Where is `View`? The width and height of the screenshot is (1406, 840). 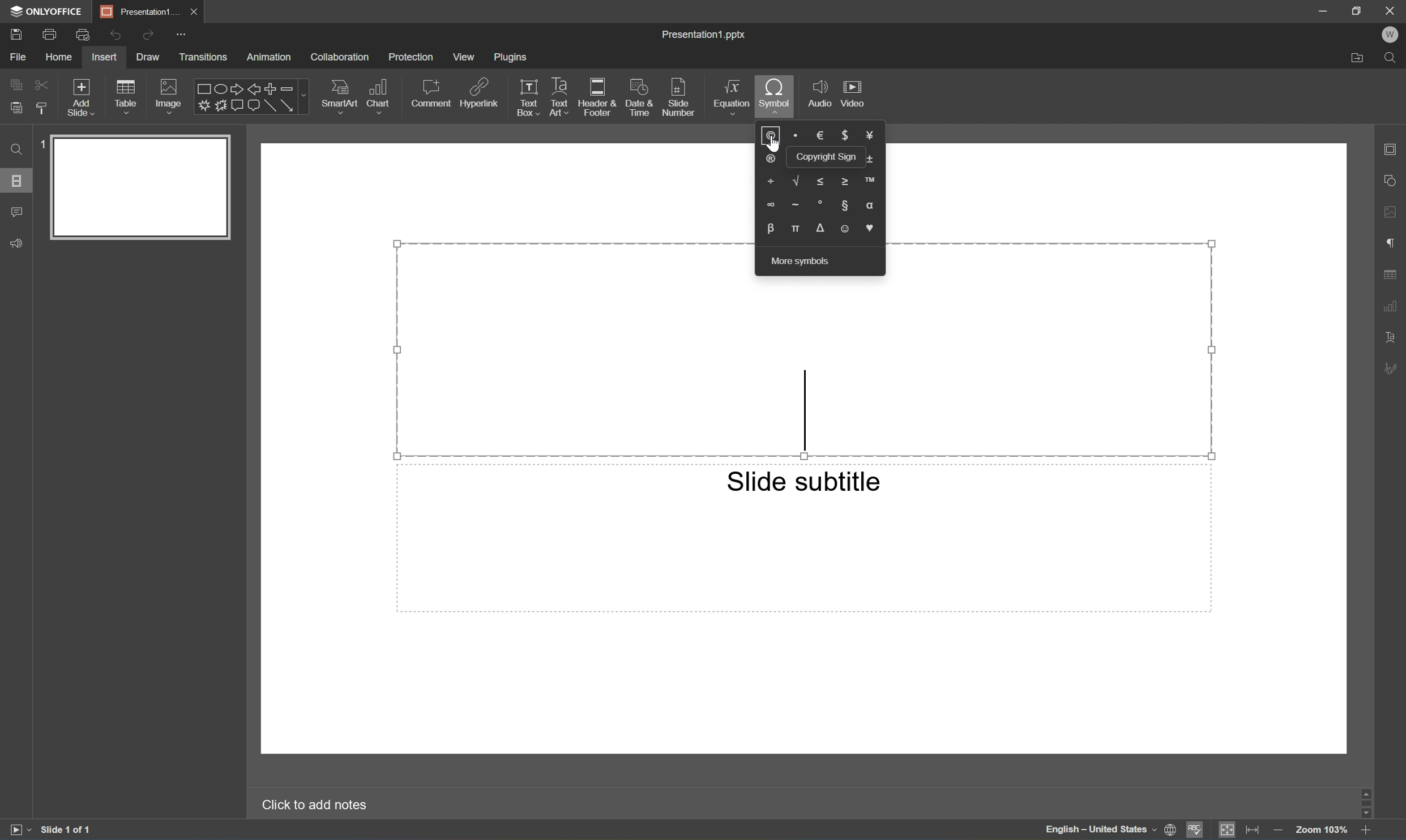 View is located at coordinates (464, 57).